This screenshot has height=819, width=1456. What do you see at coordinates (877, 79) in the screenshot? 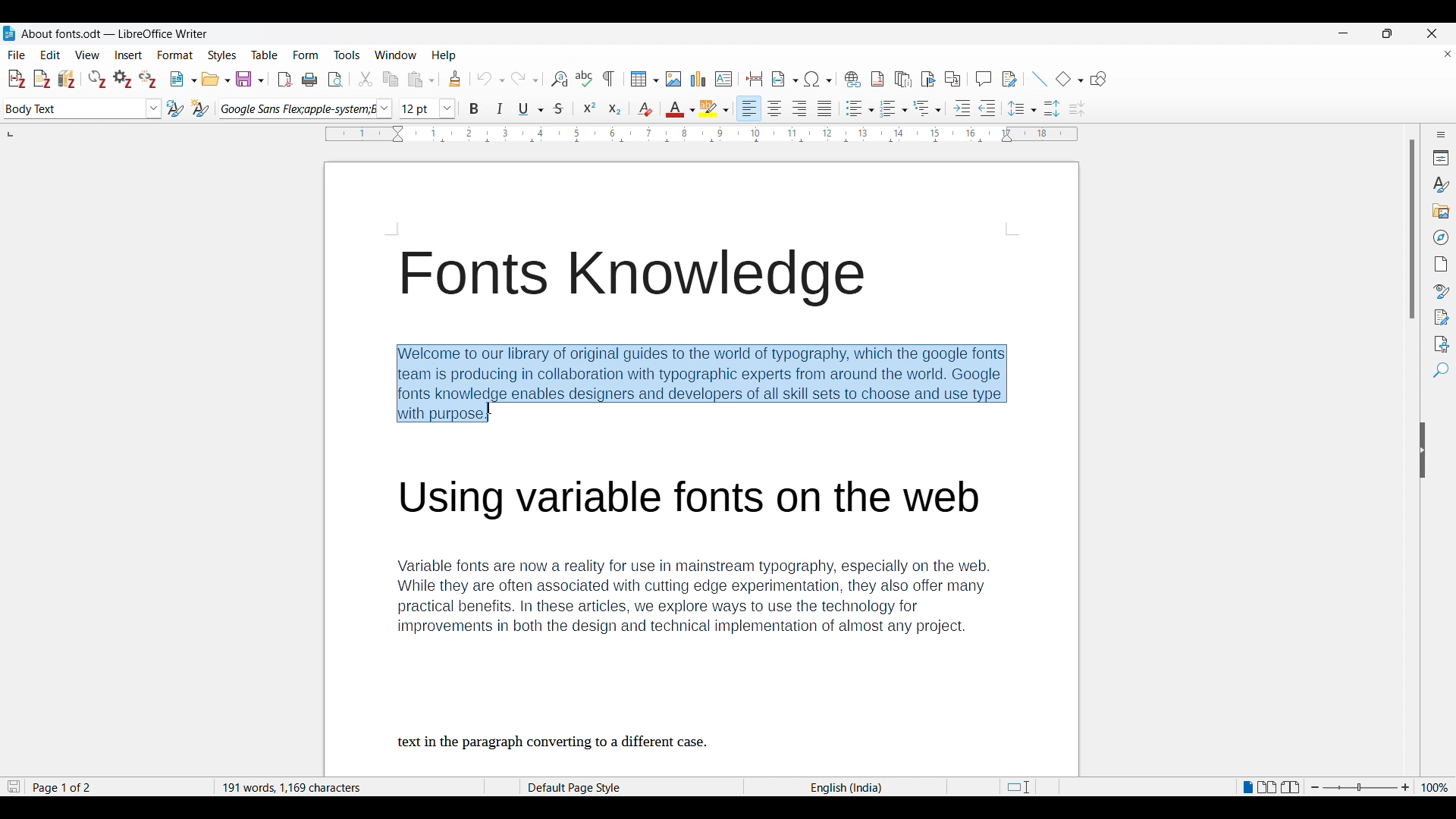
I see `Insert footnote` at bounding box center [877, 79].